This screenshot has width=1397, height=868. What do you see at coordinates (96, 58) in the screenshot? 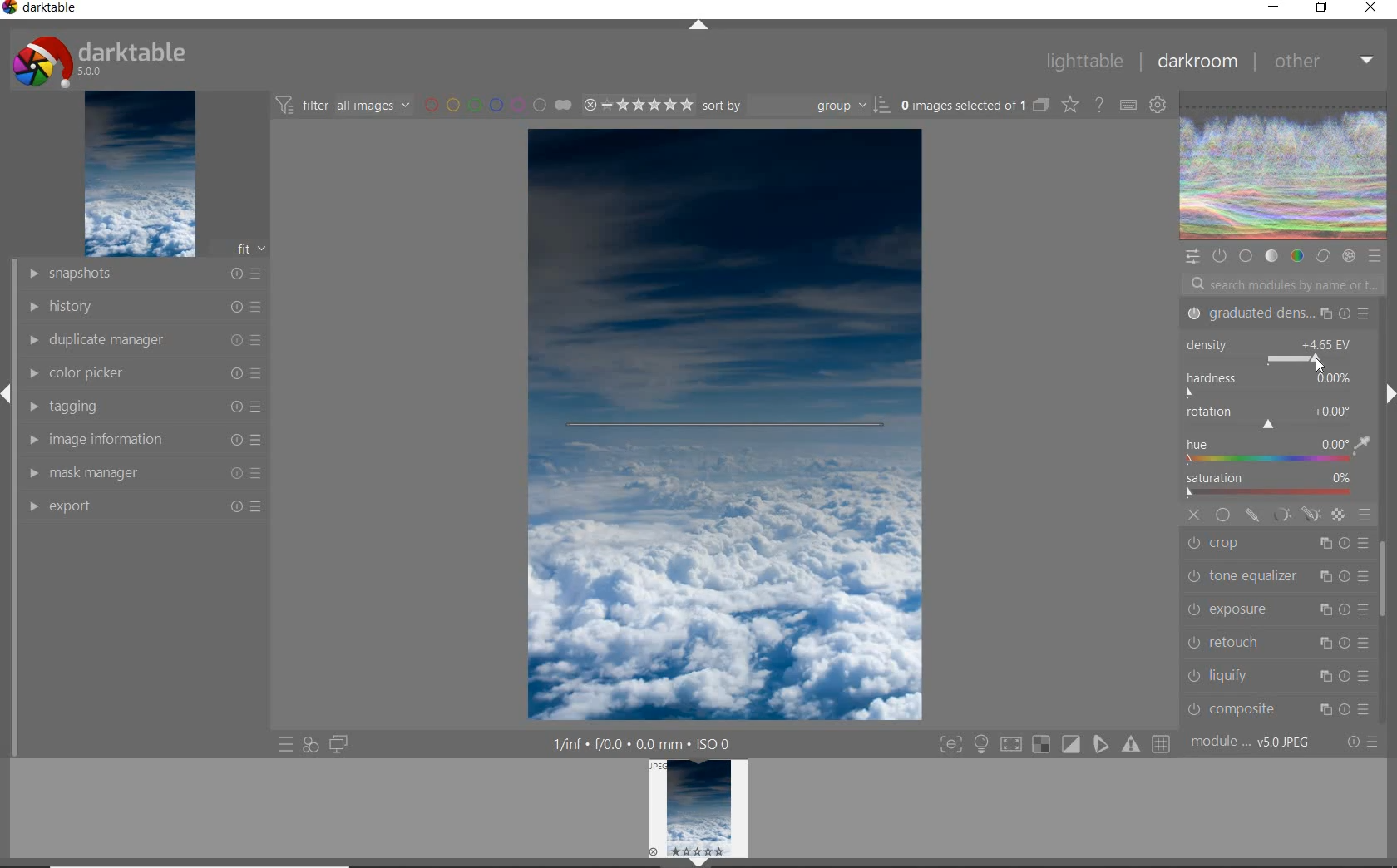
I see `darktable 5.0.0` at bounding box center [96, 58].